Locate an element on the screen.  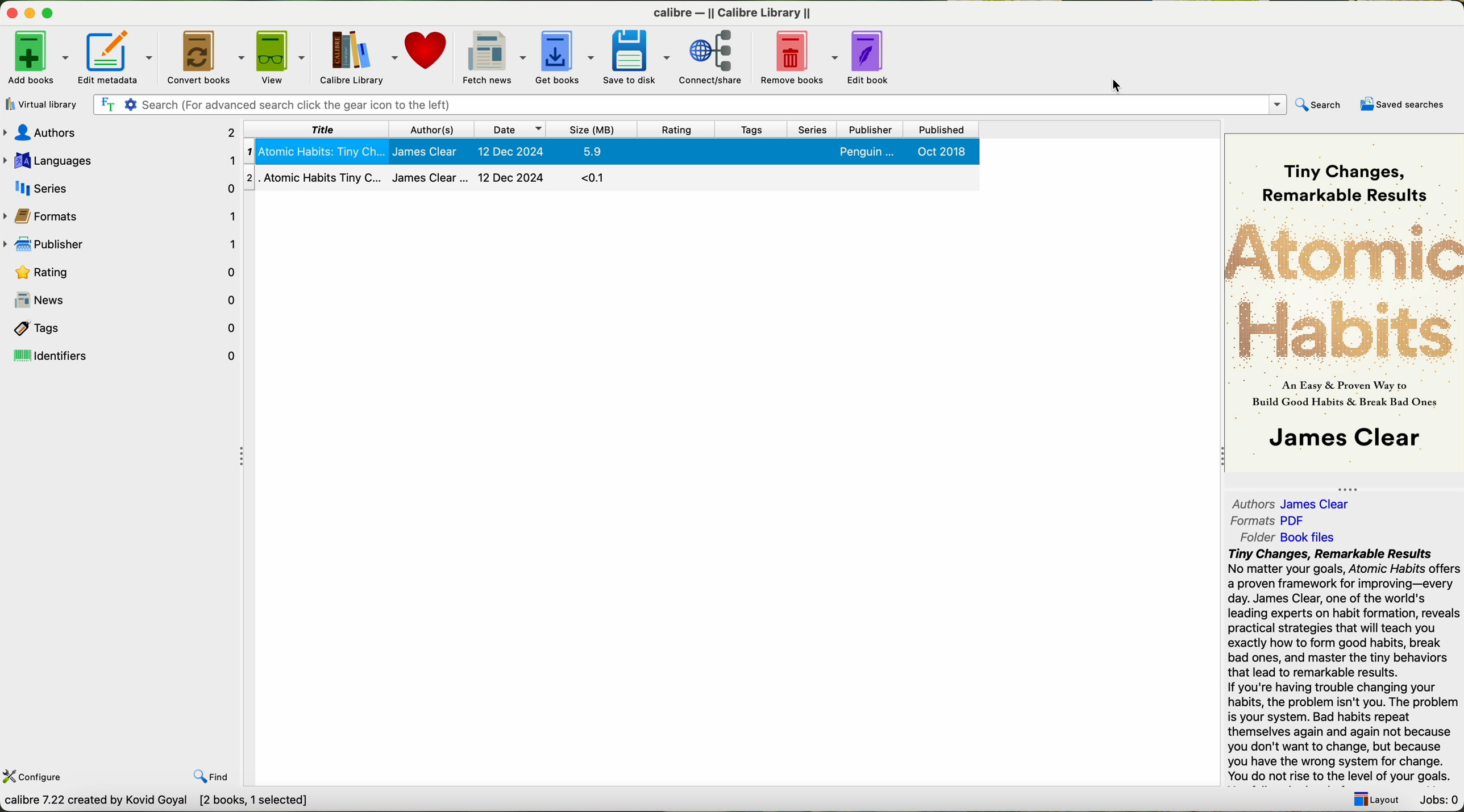
saved searches is located at coordinates (1403, 106).